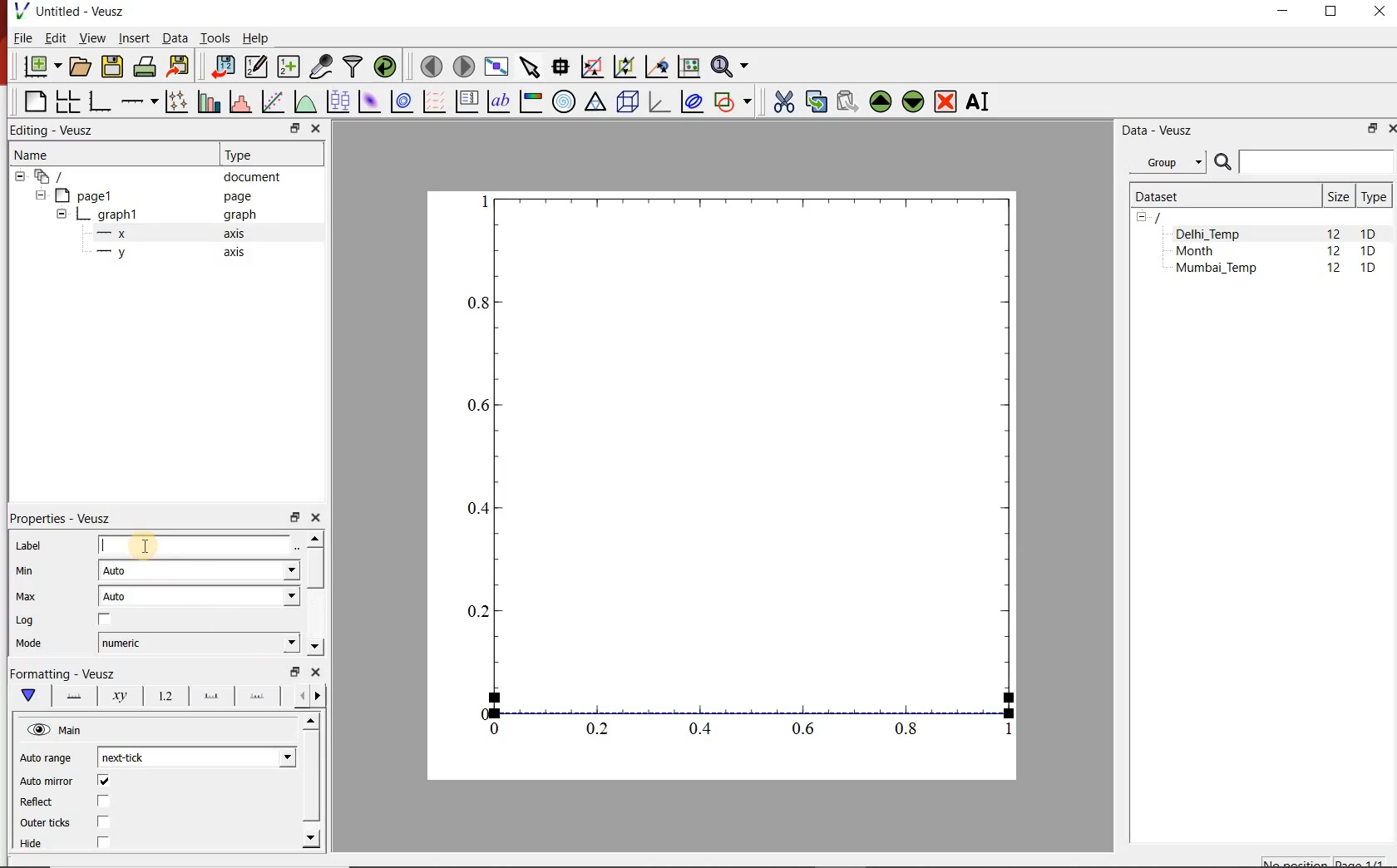 Image resolution: width=1397 pixels, height=868 pixels. Describe the element at coordinates (624, 67) in the screenshot. I see `click to zoom out of graph axes` at that location.